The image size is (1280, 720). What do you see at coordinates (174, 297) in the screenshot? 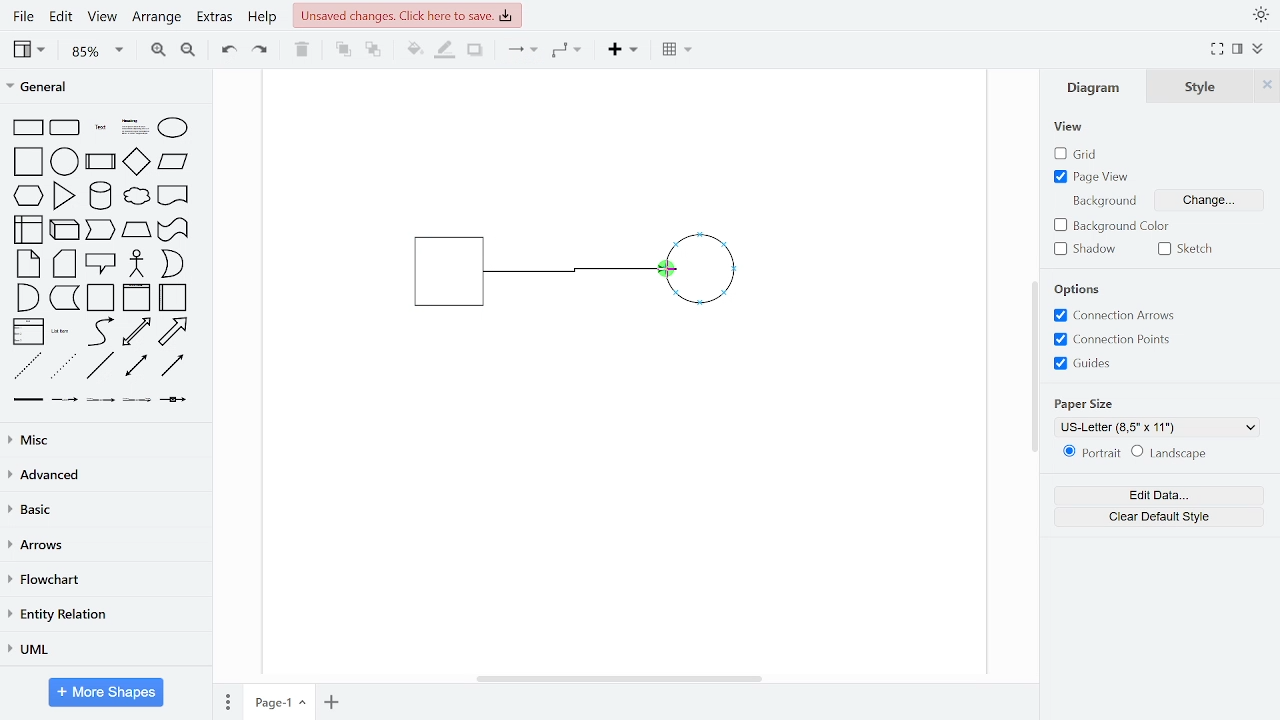
I see `horizontal container` at bounding box center [174, 297].